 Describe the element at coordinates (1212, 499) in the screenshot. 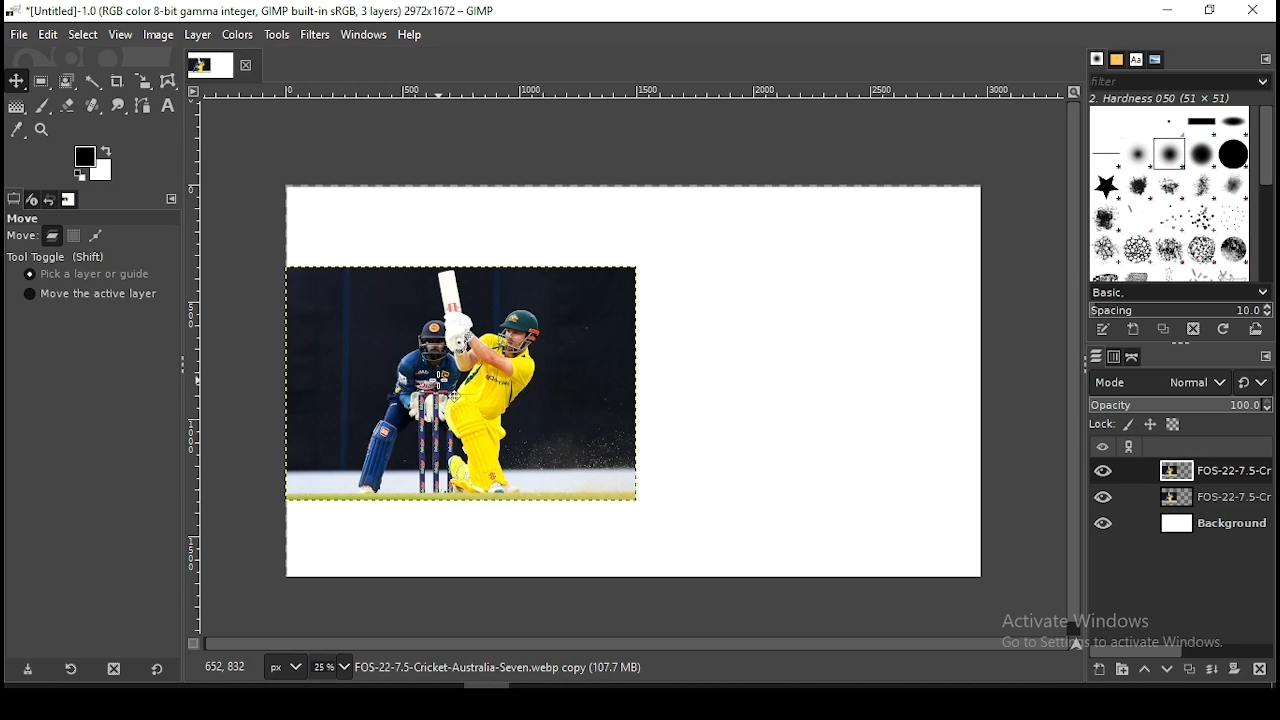

I see `layer ` at that location.